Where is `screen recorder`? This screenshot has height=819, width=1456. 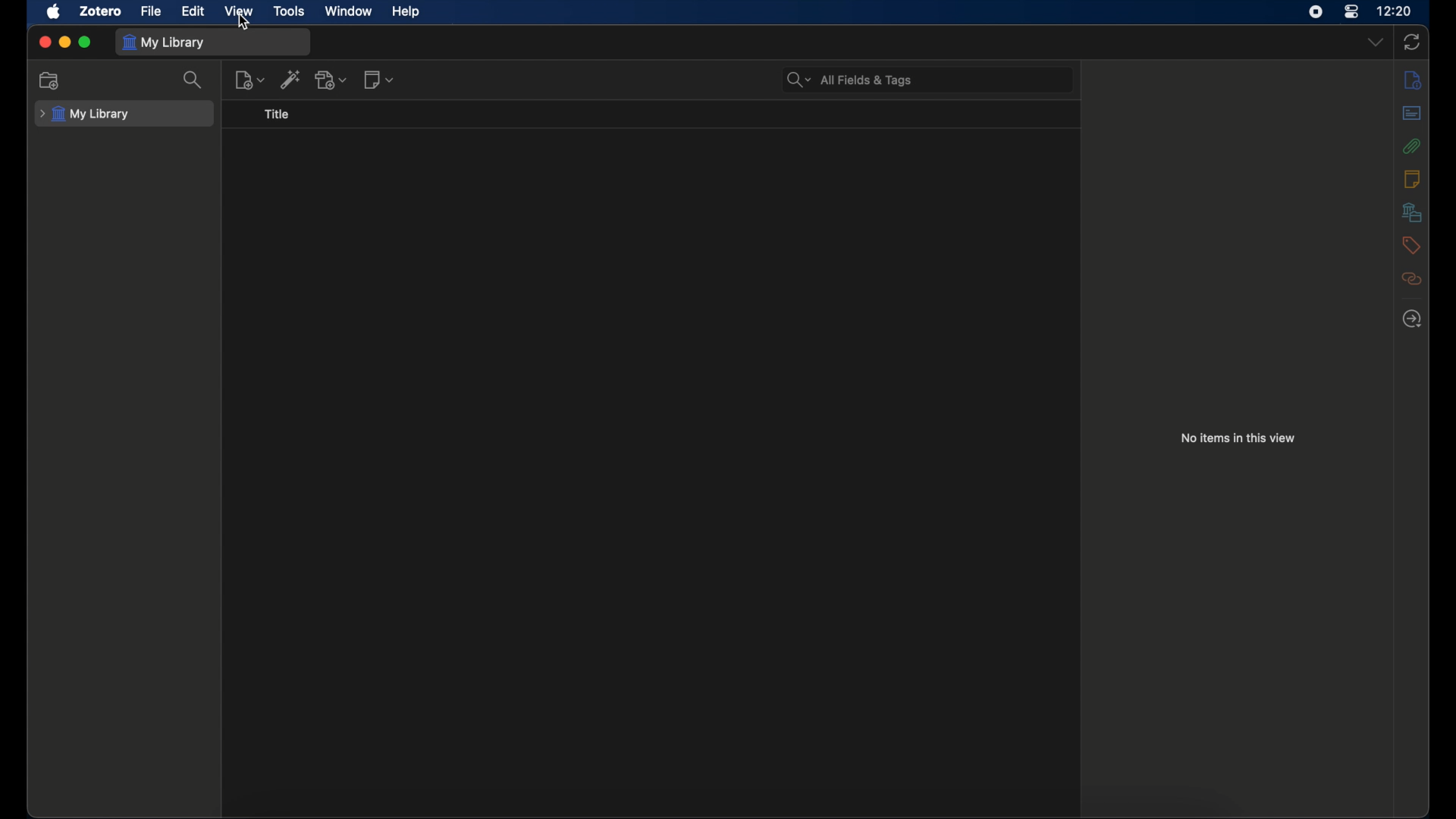
screen recorder is located at coordinates (1316, 12).